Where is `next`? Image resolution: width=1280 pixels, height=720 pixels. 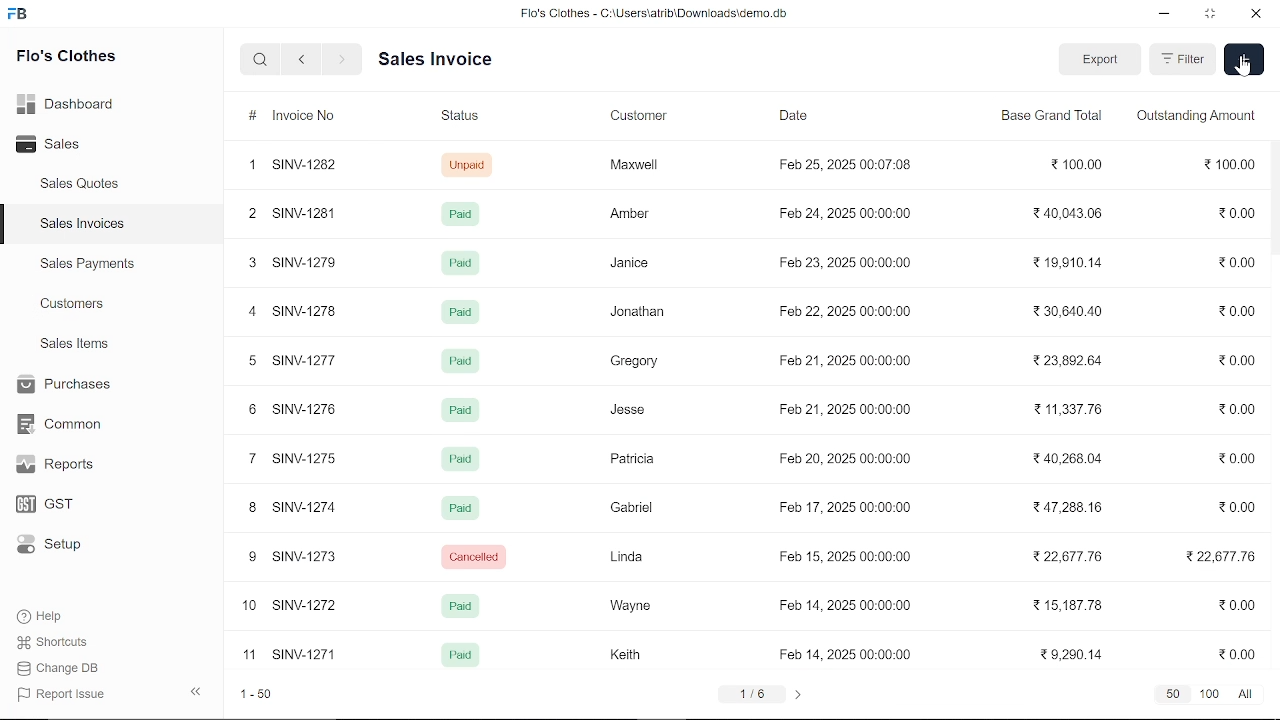
next is located at coordinates (342, 60).